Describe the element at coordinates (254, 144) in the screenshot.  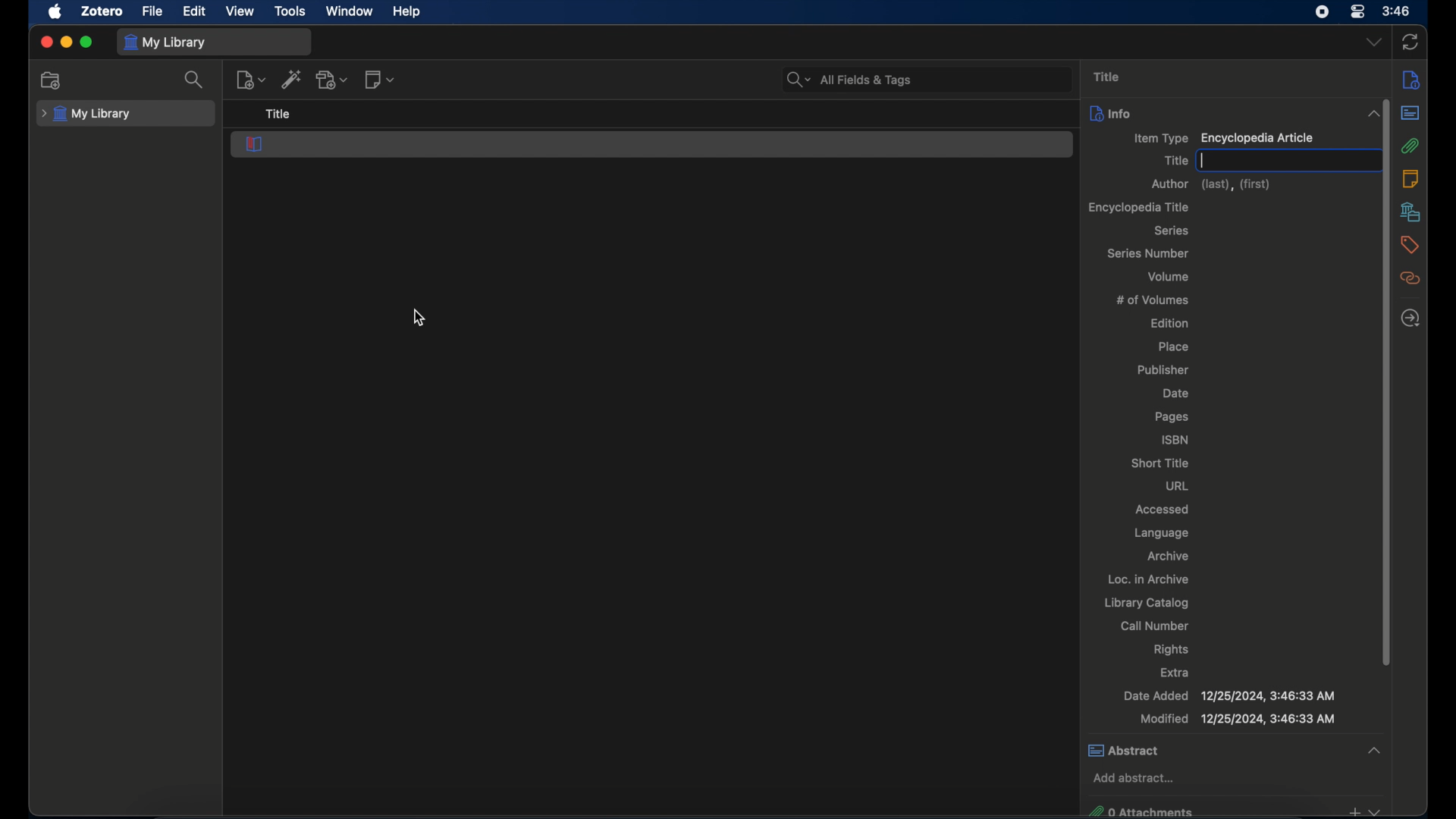
I see `encyclopedia article` at that location.